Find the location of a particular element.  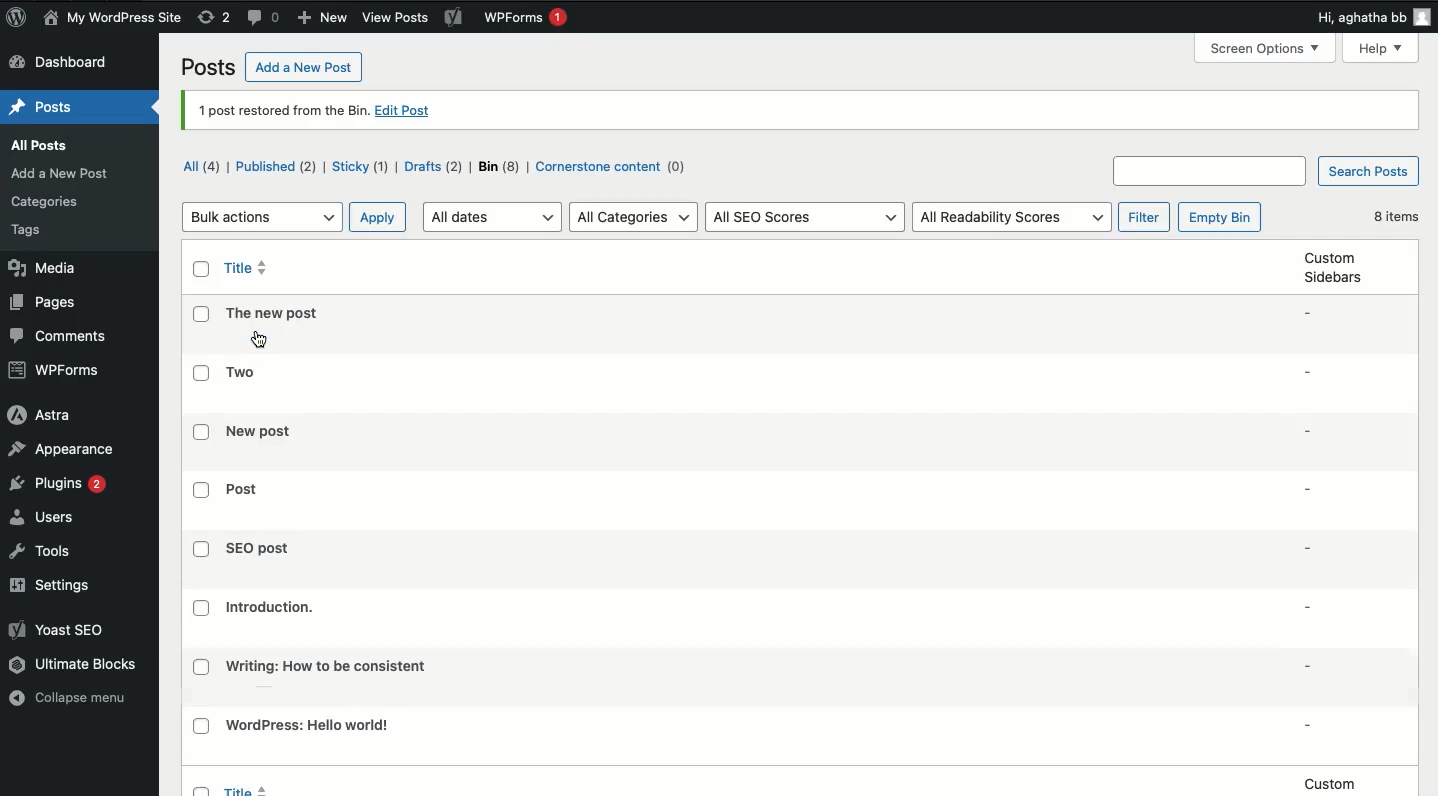

filter is located at coordinates (1145, 217).